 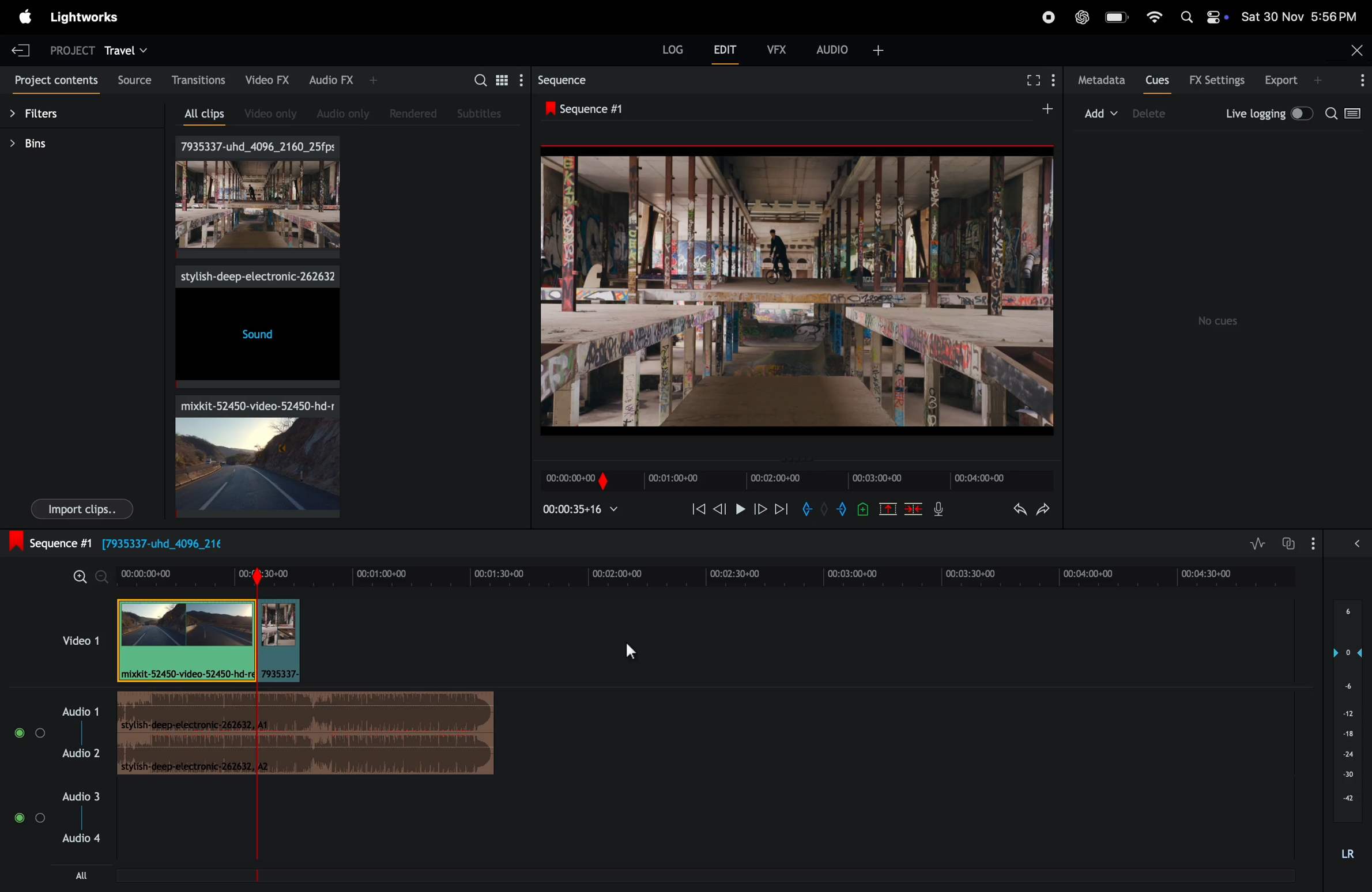 What do you see at coordinates (45, 116) in the screenshot?
I see `filters` at bounding box center [45, 116].